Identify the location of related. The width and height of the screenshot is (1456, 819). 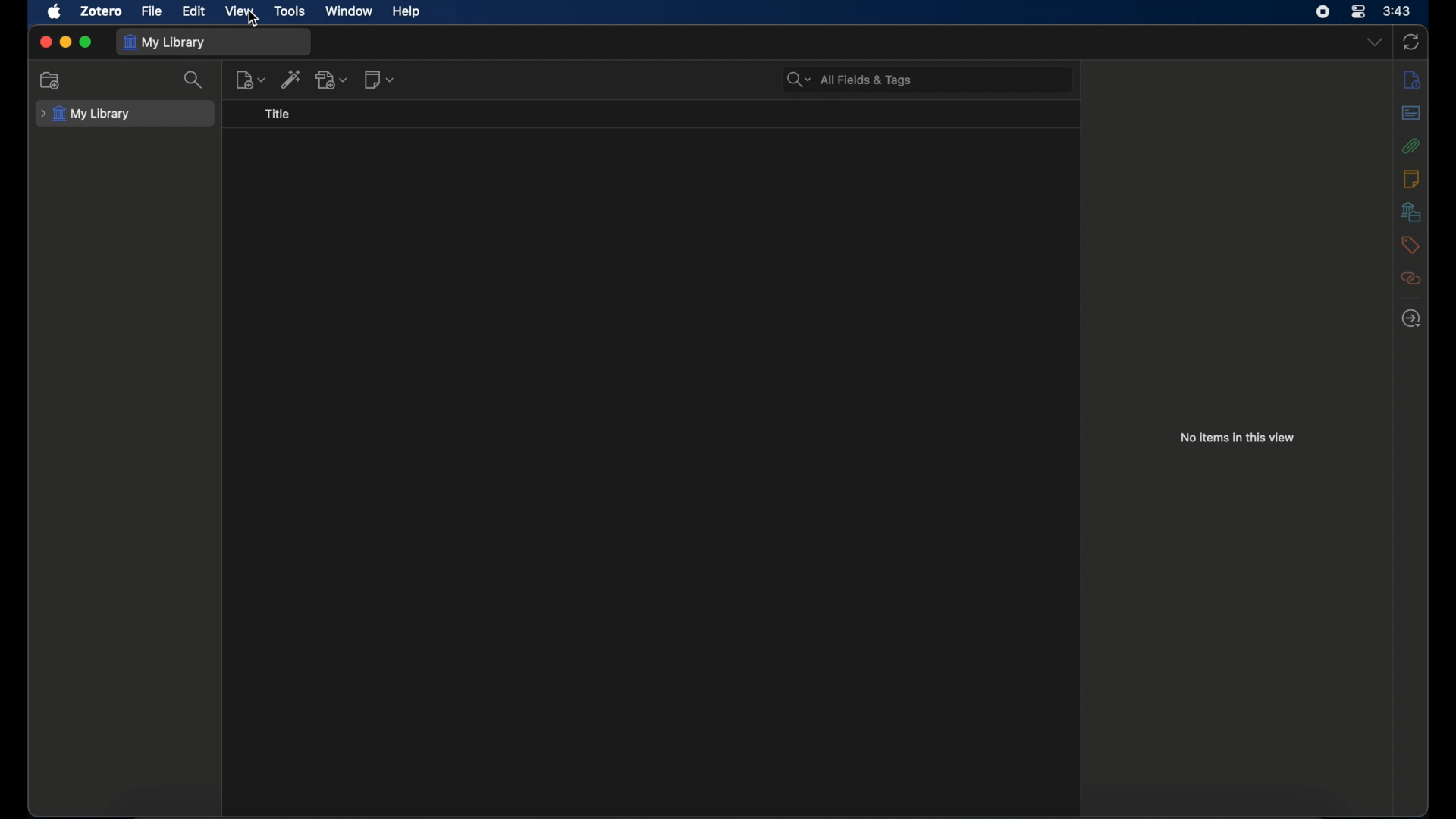
(1410, 278).